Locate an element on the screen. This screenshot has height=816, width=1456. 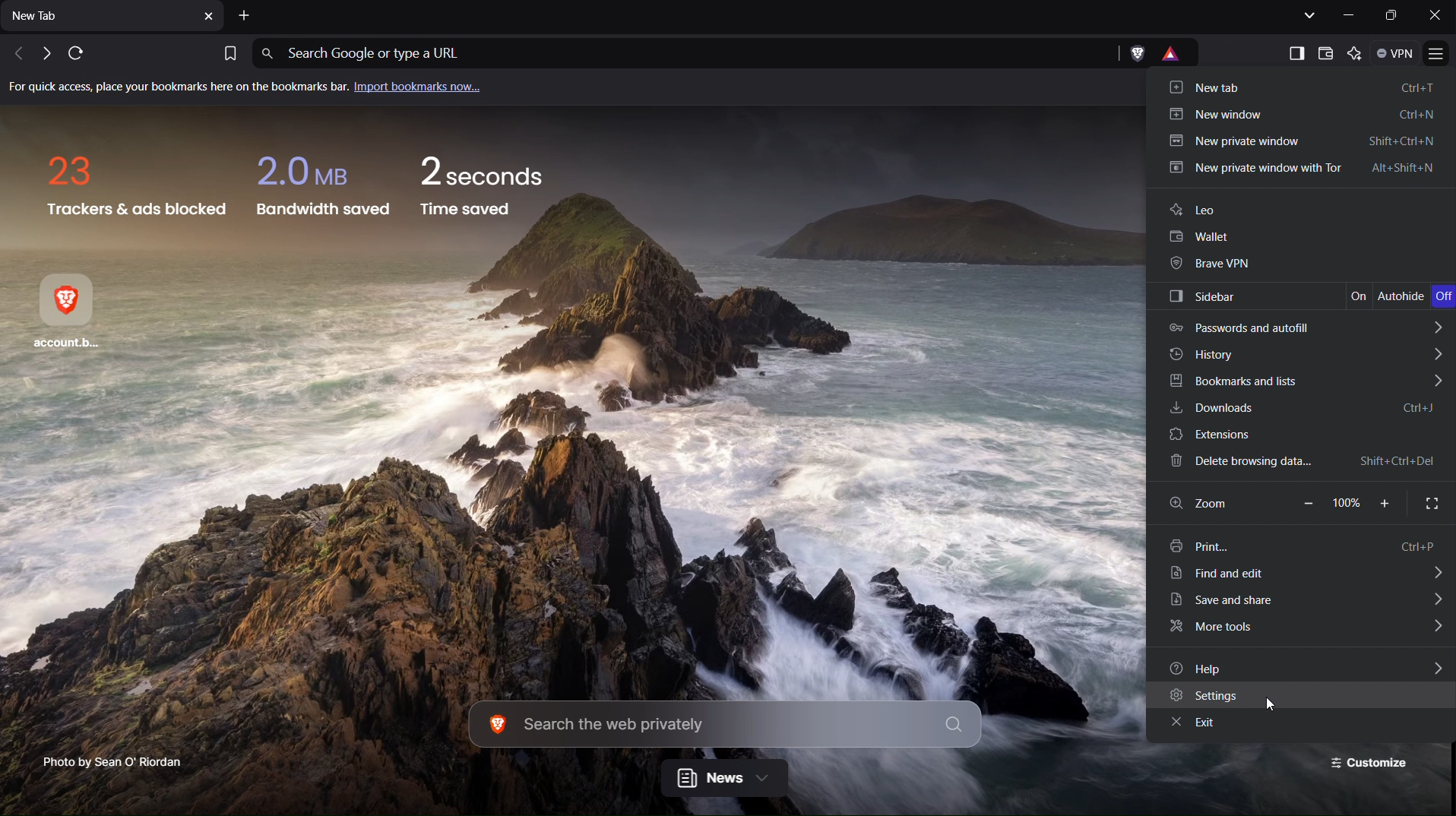
Brave VPN is located at coordinates (1298, 265).